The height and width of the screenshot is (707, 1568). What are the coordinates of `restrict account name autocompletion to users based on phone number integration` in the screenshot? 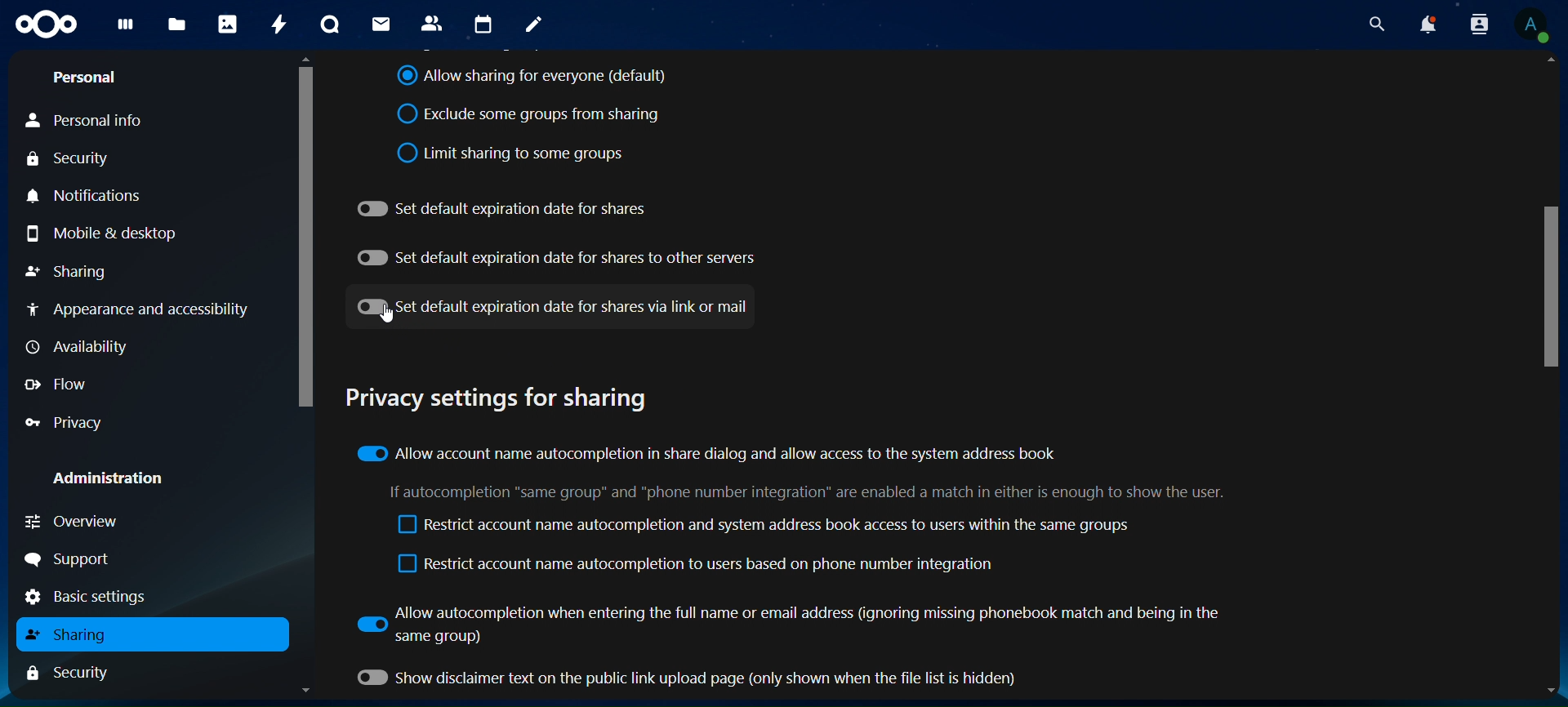 It's located at (699, 565).